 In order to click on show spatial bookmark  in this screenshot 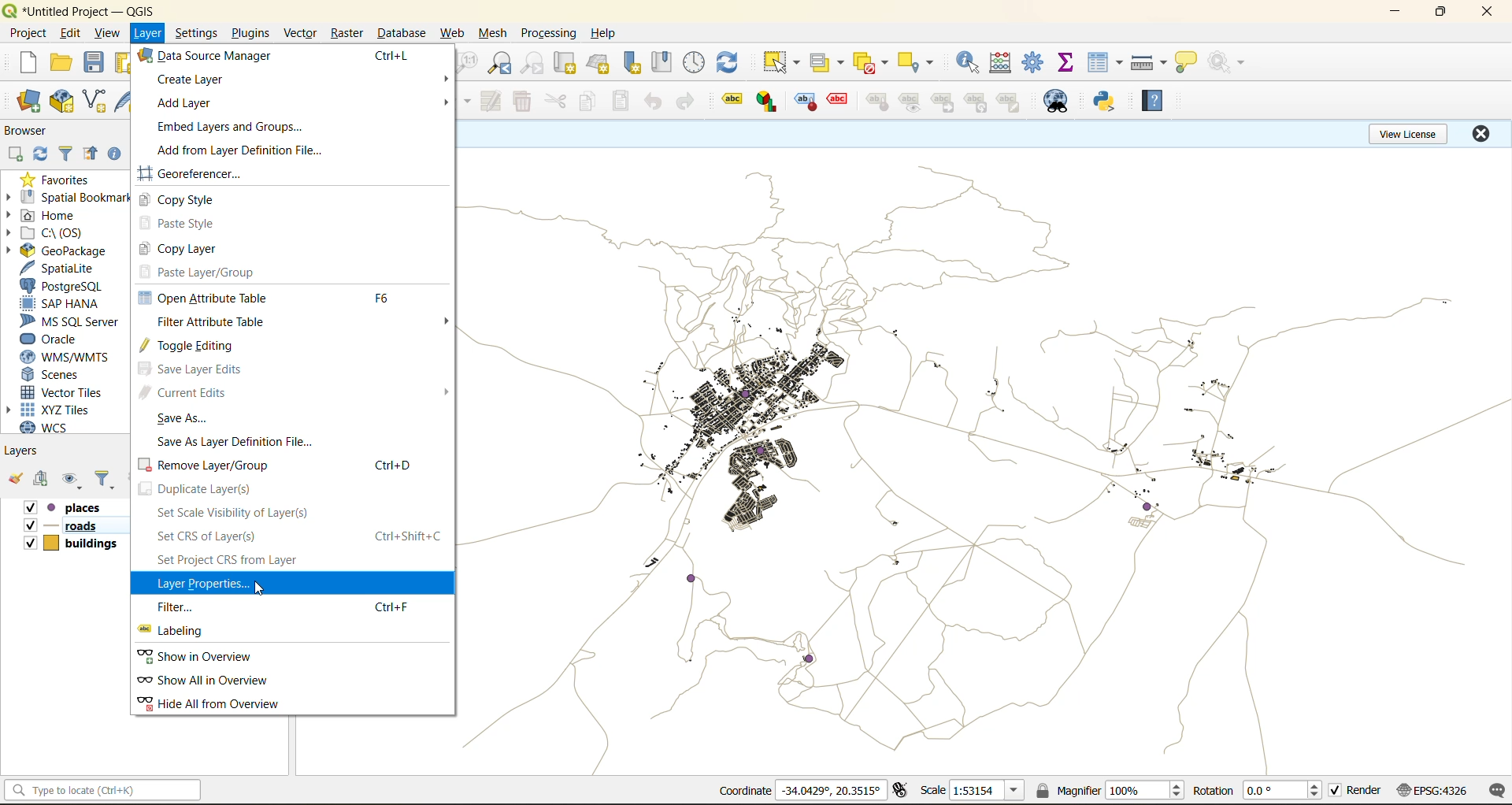, I will do `click(662, 63)`.